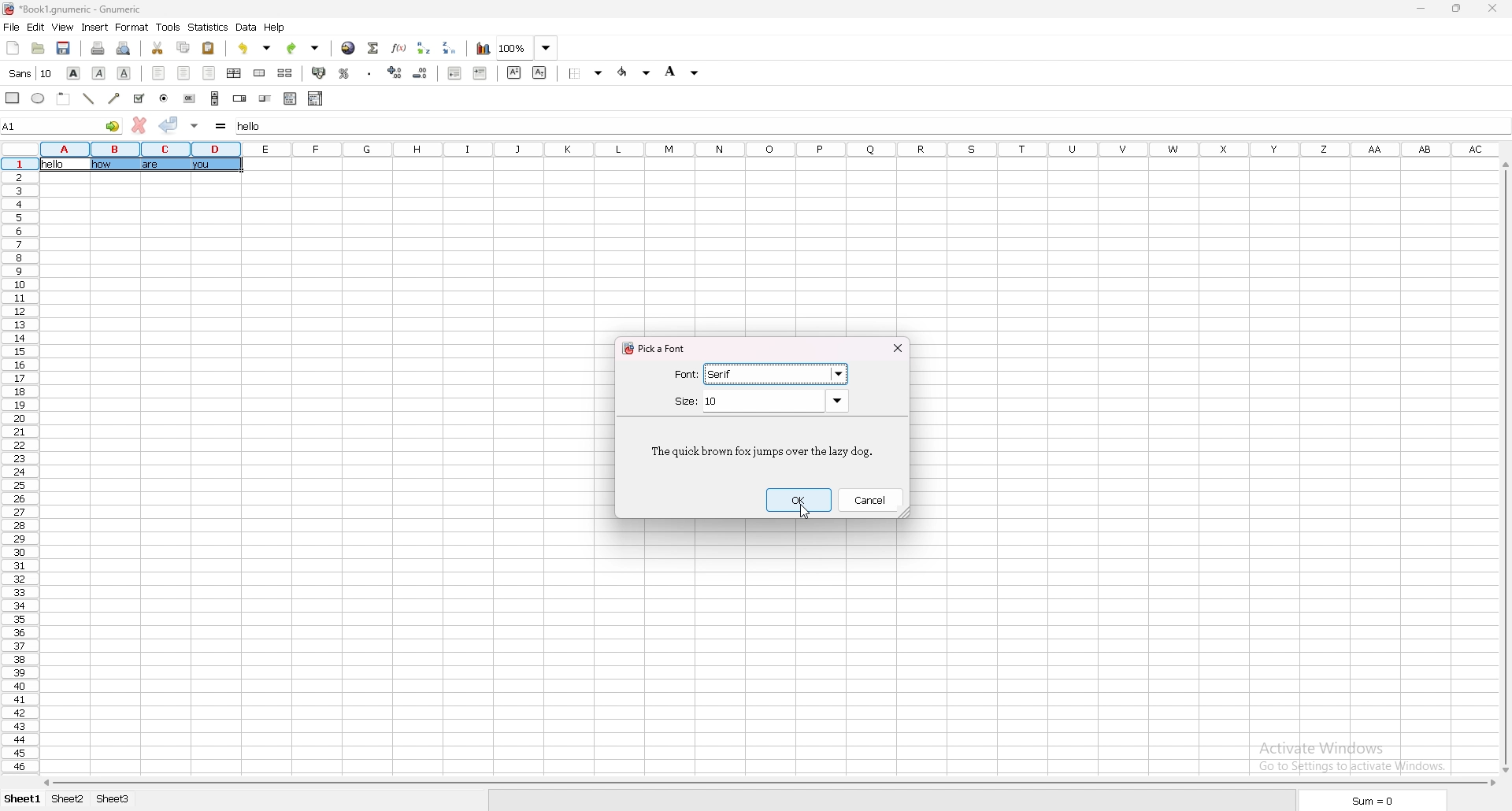  What do you see at coordinates (346, 72) in the screenshot?
I see `percentage` at bounding box center [346, 72].